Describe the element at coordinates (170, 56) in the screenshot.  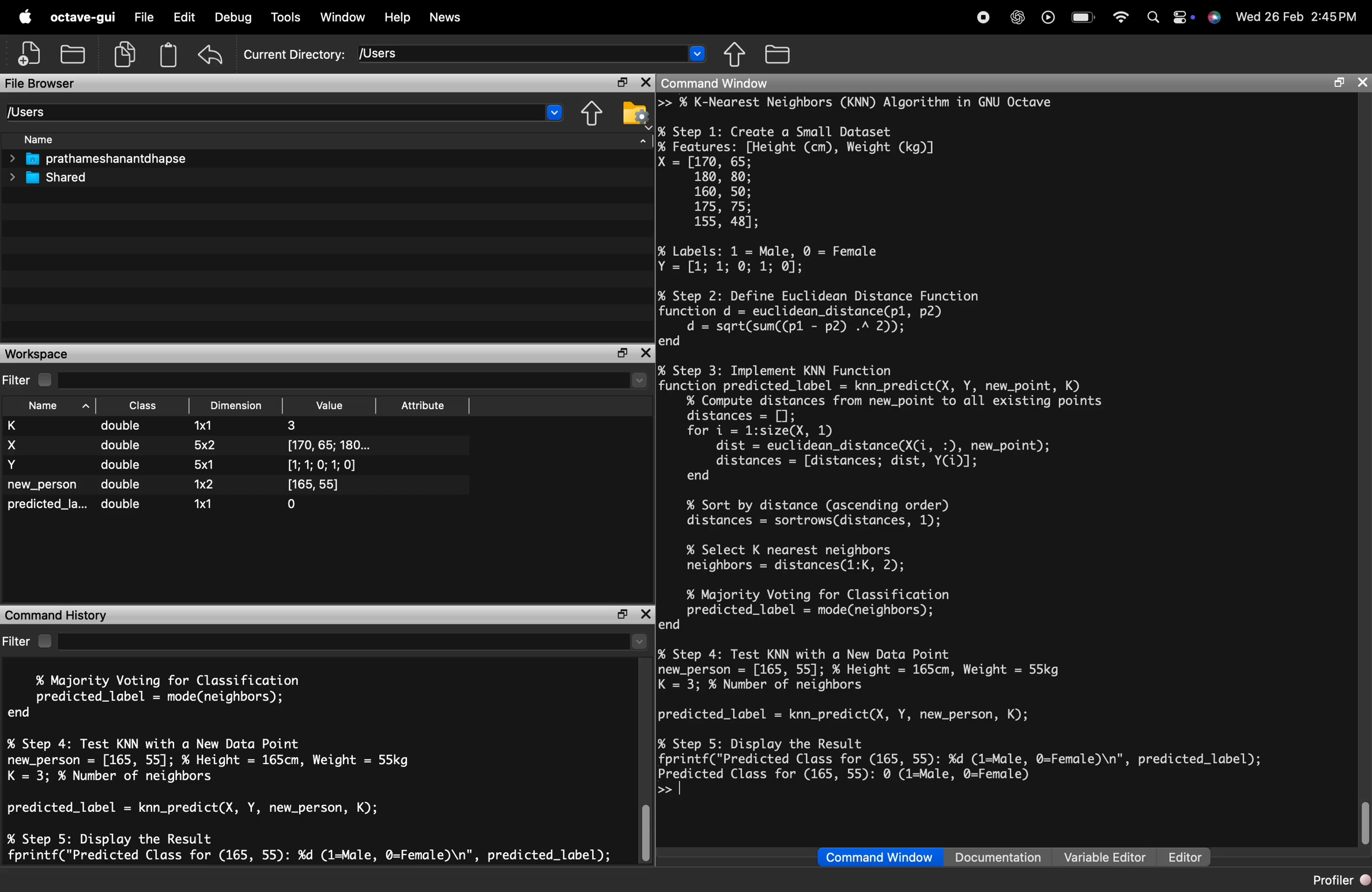
I see `storage` at that location.